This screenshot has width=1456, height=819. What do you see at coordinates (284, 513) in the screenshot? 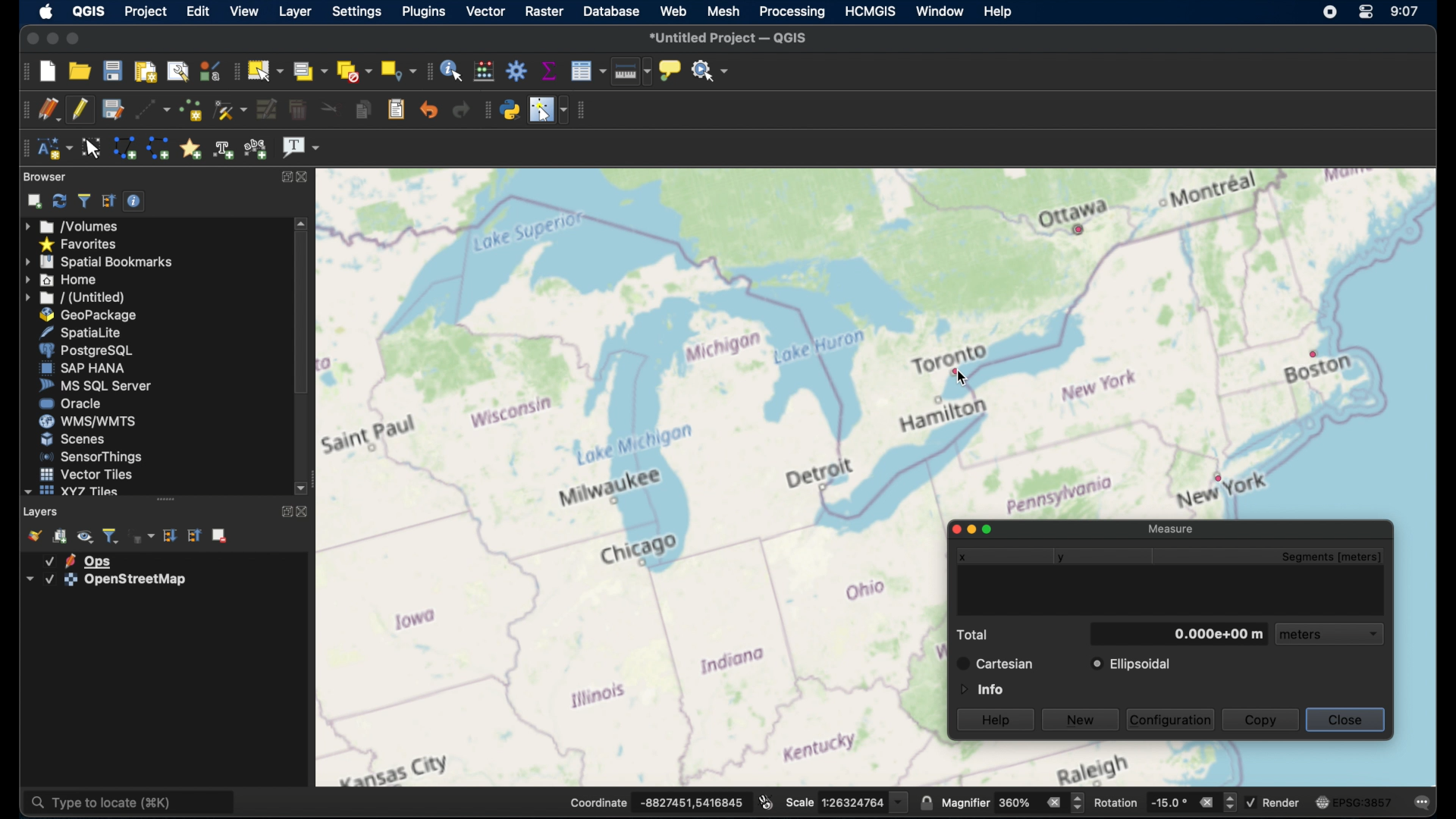
I see `maximize` at bounding box center [284, 513].